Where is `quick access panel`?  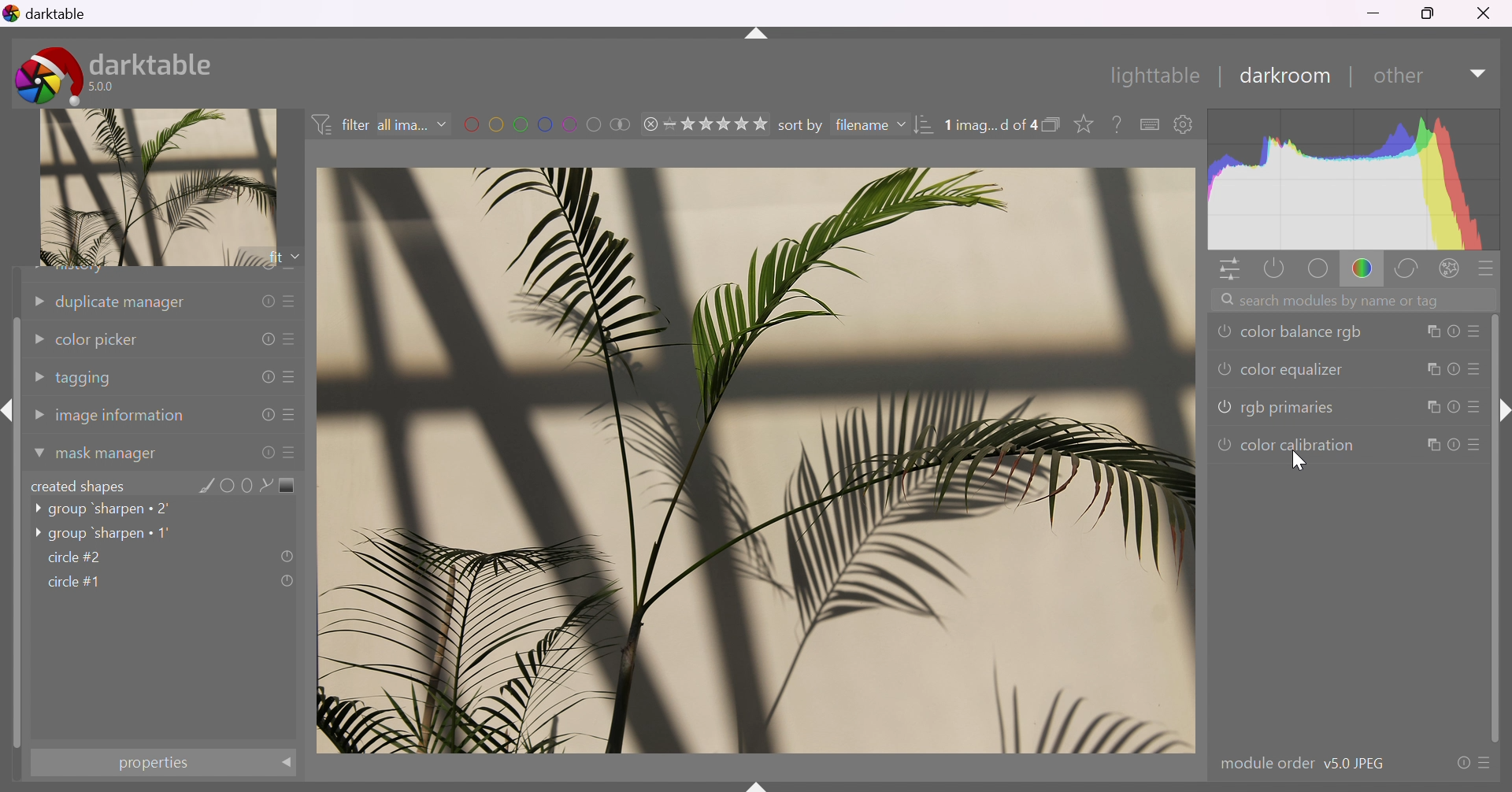
quick access panel is located at coordinates (1228, 270).